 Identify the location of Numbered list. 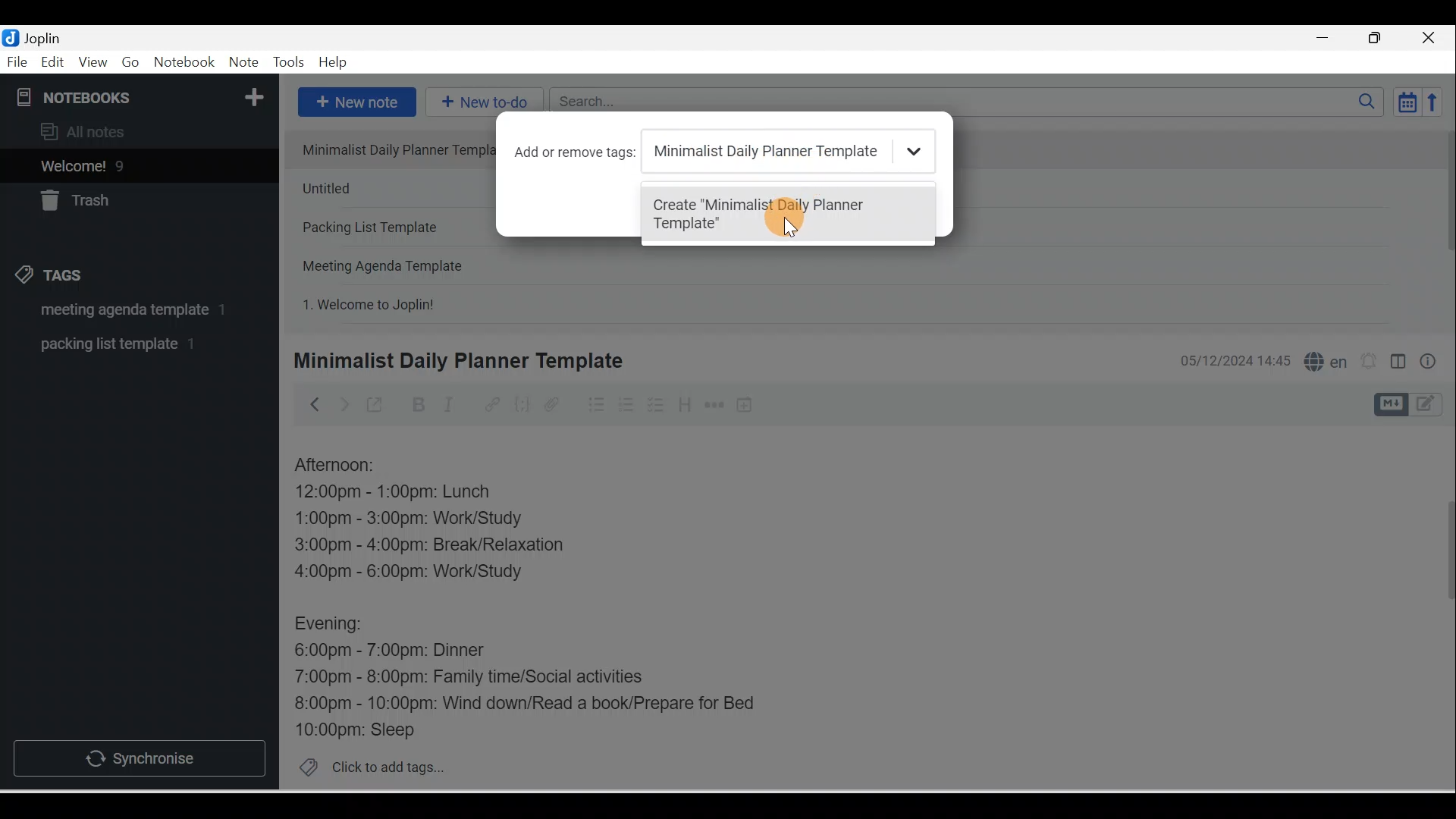
(626, 404).